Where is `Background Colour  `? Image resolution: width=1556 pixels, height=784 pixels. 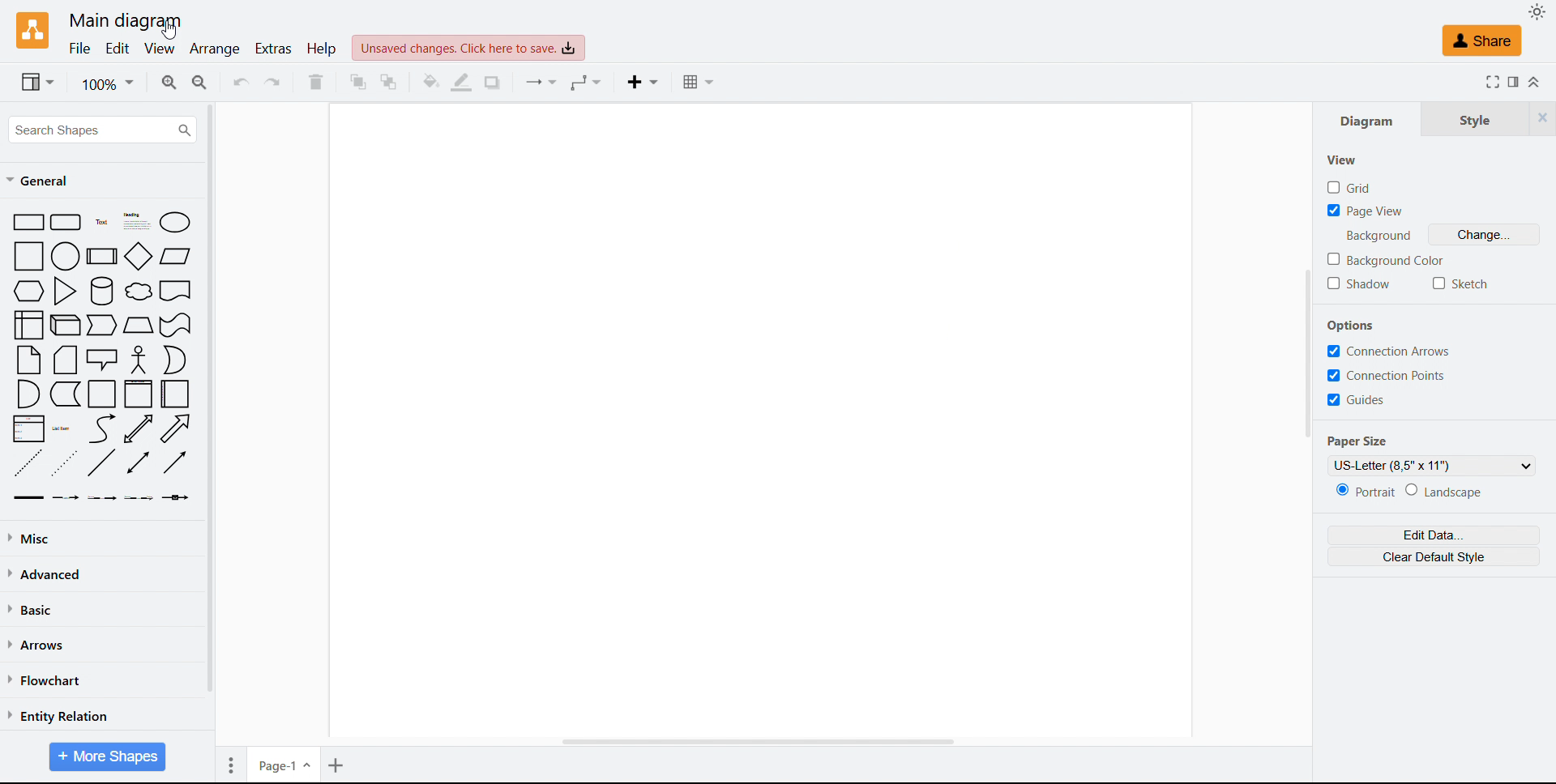
Background Colour   is located at coordinates (1384, 260).